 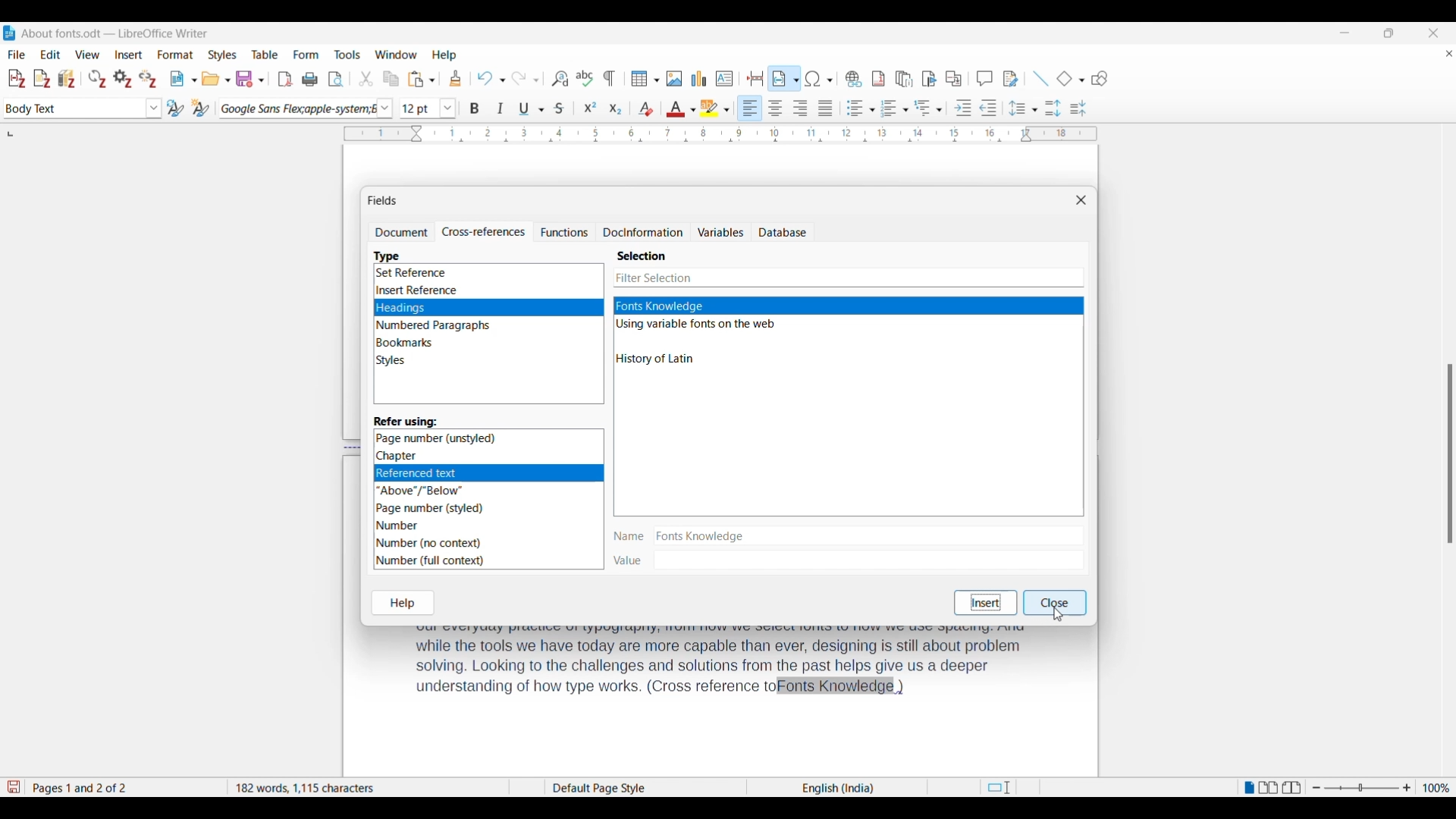 What do you see at coordinates (421, 490) in the screenshot?
I see `“Above”/"Below”` at bounding box center [421, 490].